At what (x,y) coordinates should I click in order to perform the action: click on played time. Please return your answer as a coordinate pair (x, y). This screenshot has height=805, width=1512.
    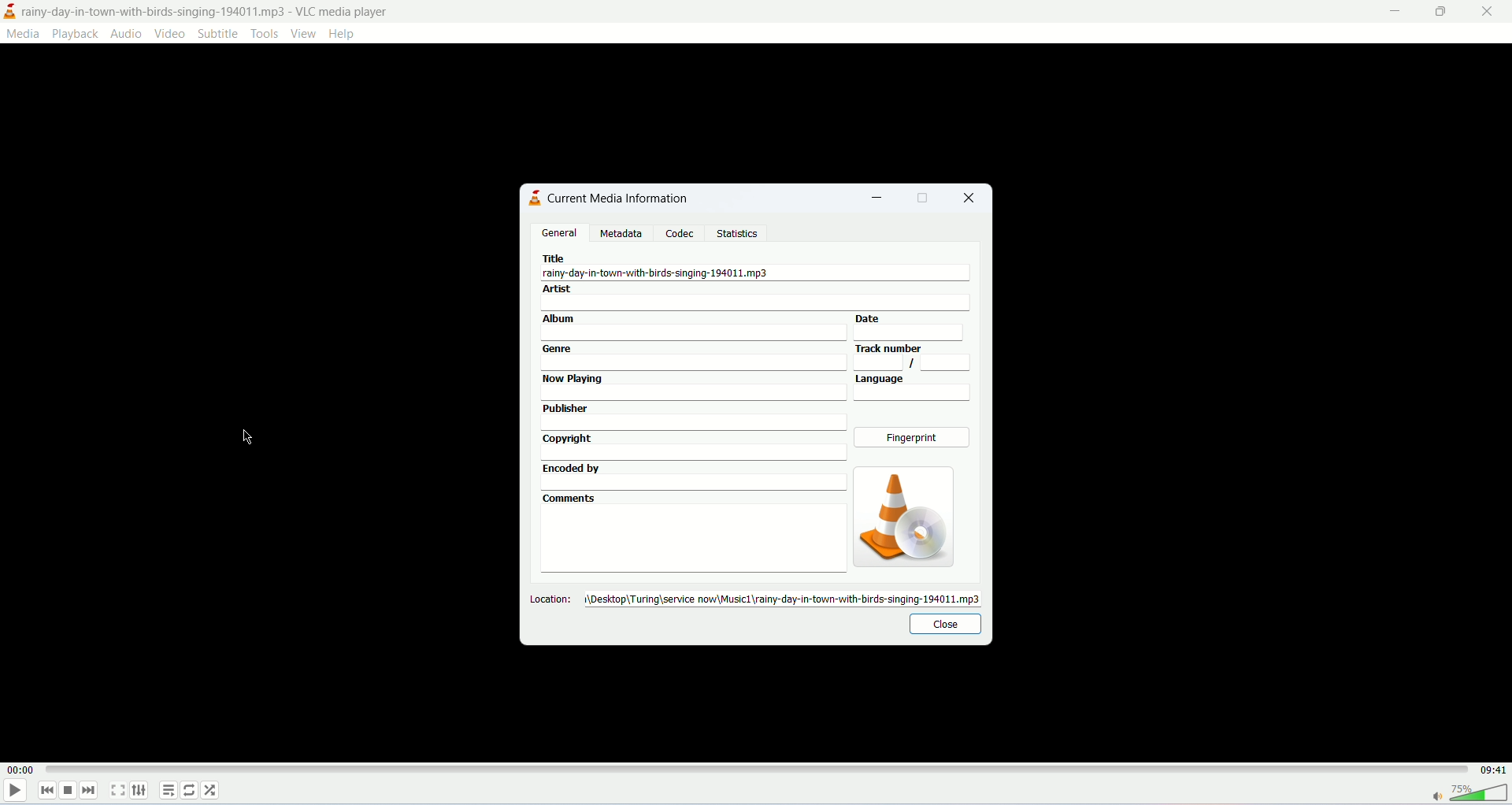
    Looking at the image, I should click on (19, 770).